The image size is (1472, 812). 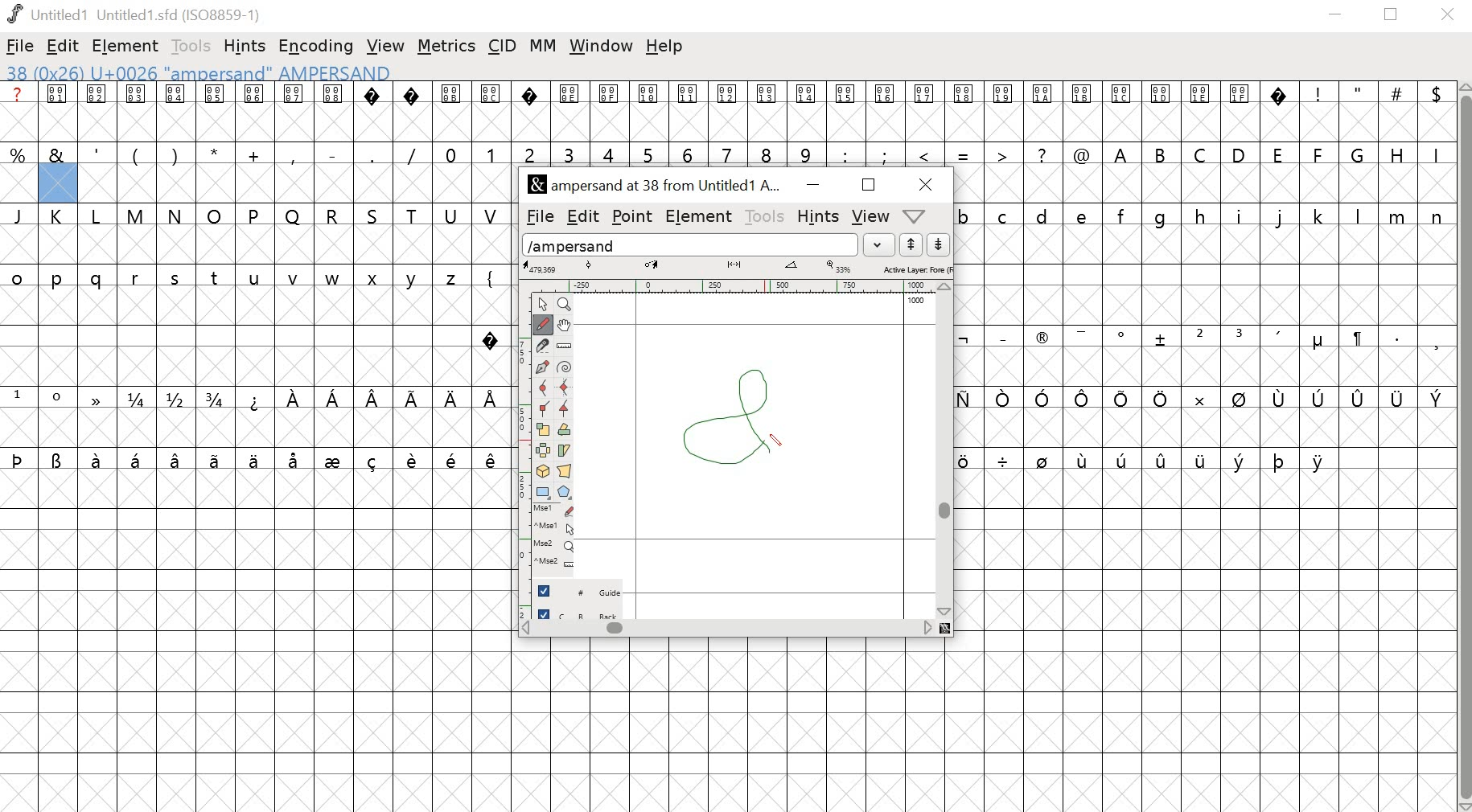 I want to click on 8, so click(x=767, y=153).